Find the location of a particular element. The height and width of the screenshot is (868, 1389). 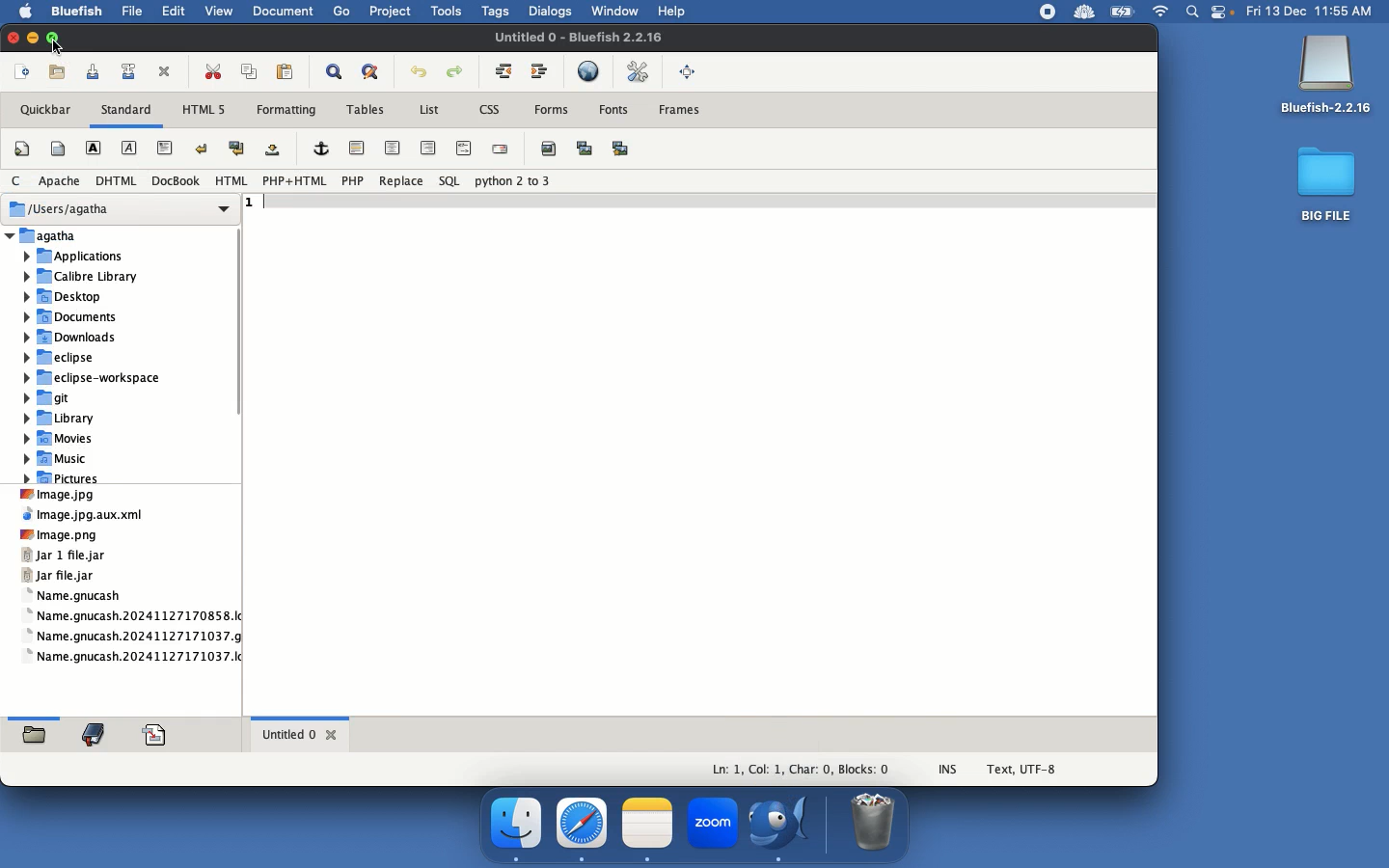

Ln is located at coordinates (724, 771).